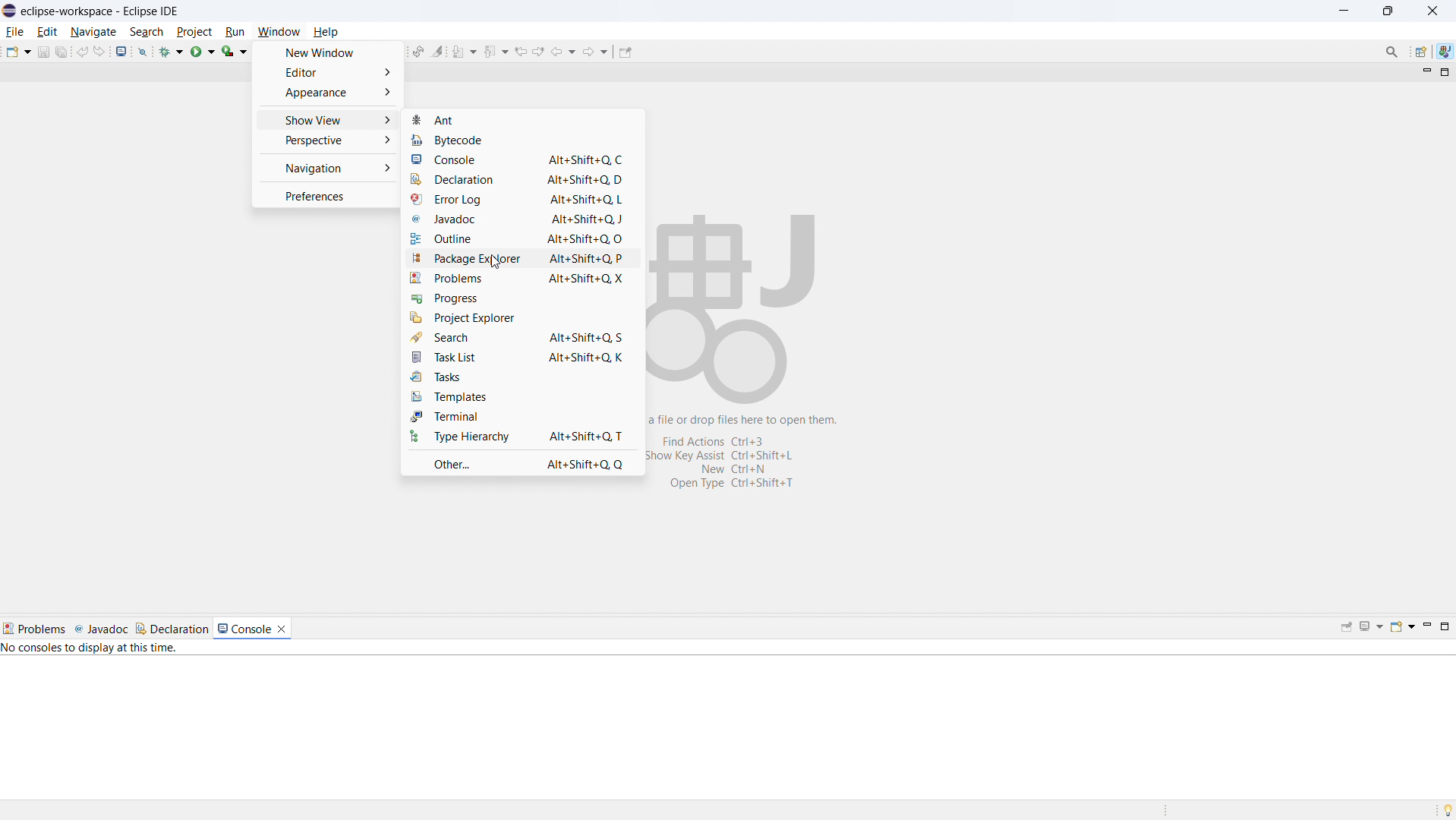 The width and height of the screenshot is (1456, 820). Describe the element at coordinates (235, 30) in the screenshot. I see `run` at that location.